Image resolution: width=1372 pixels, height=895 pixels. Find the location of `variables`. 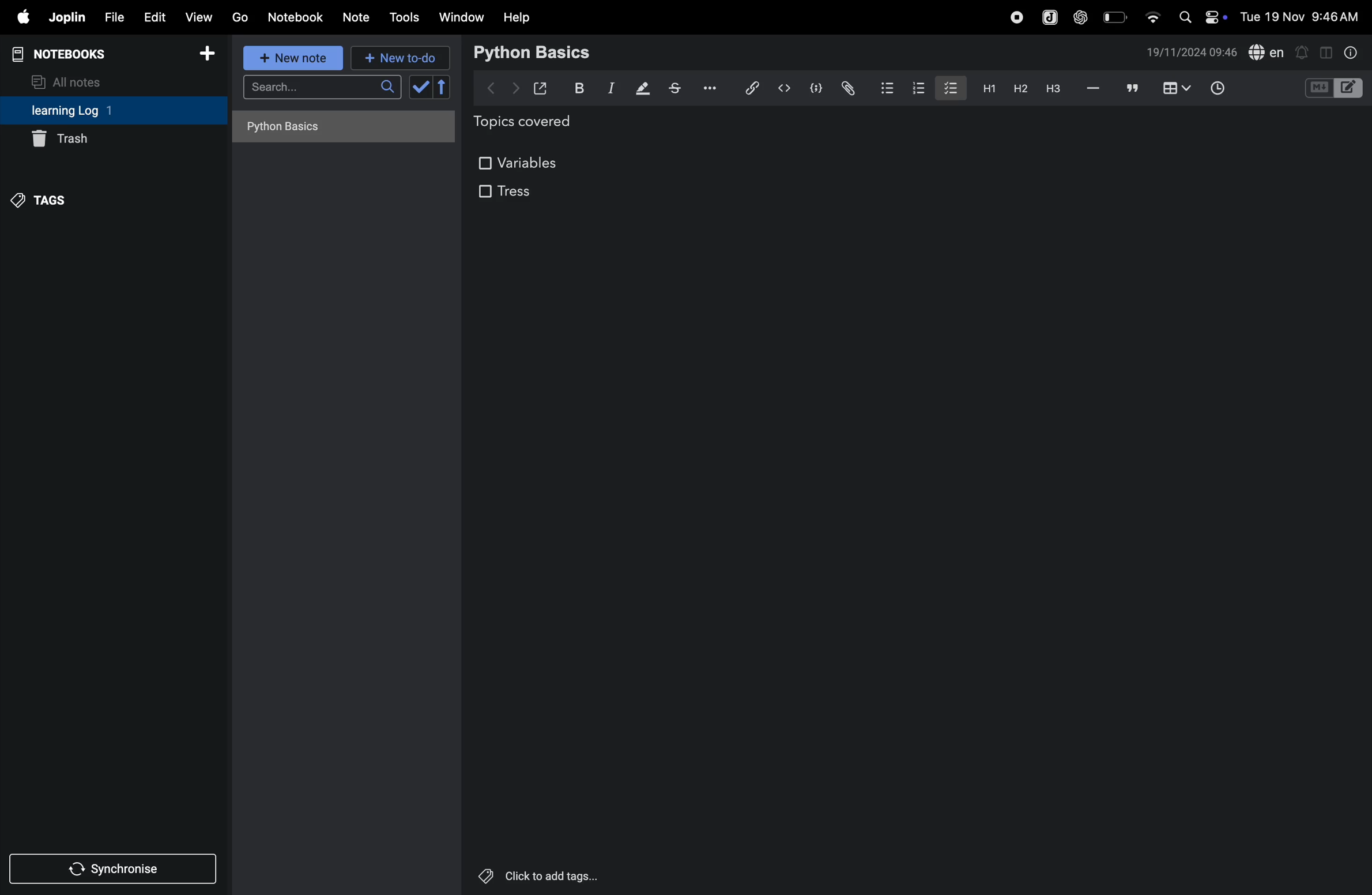

variables is located at coordinates (521, 160).